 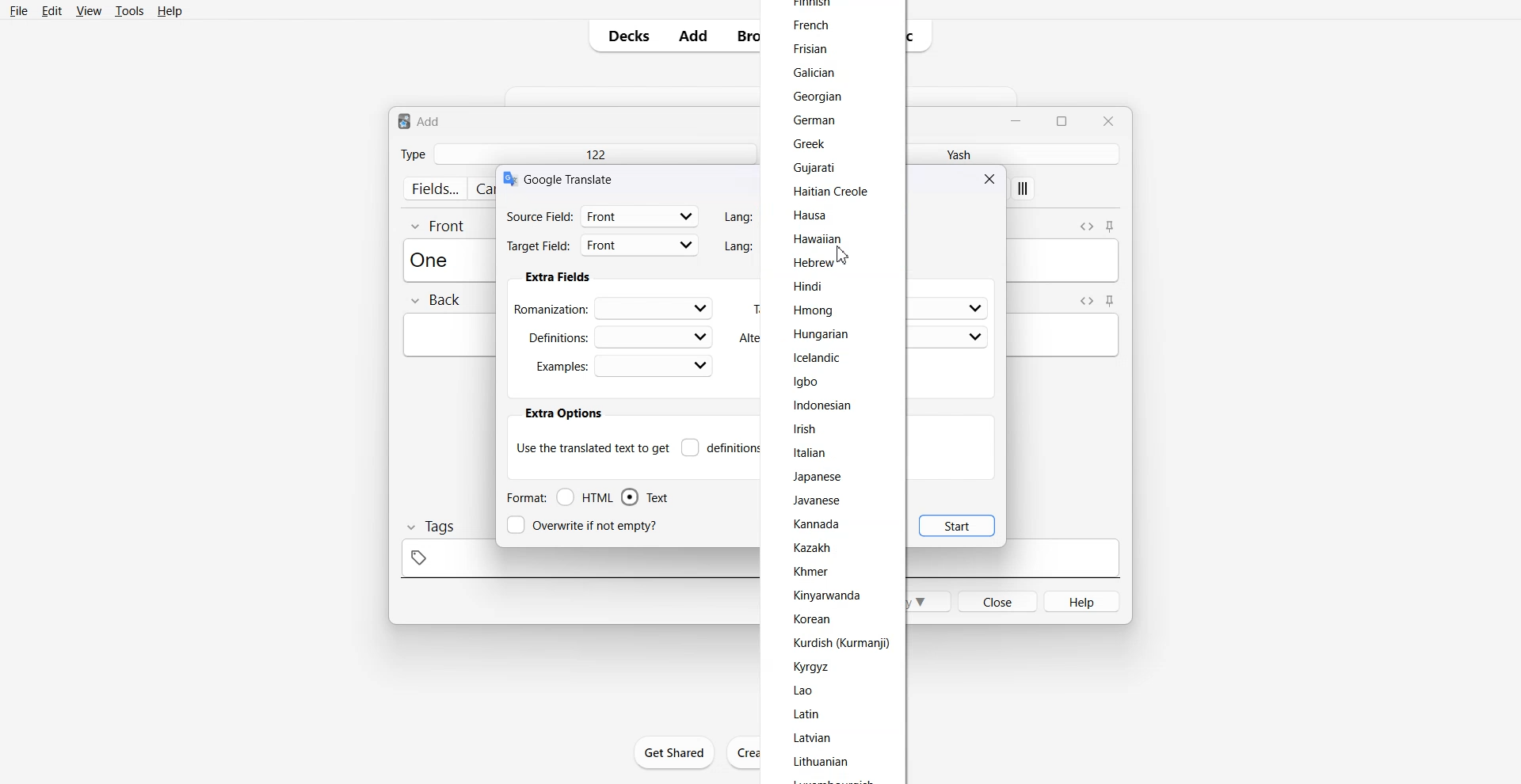 I want to click on extra options, so click(x=562, y=413).